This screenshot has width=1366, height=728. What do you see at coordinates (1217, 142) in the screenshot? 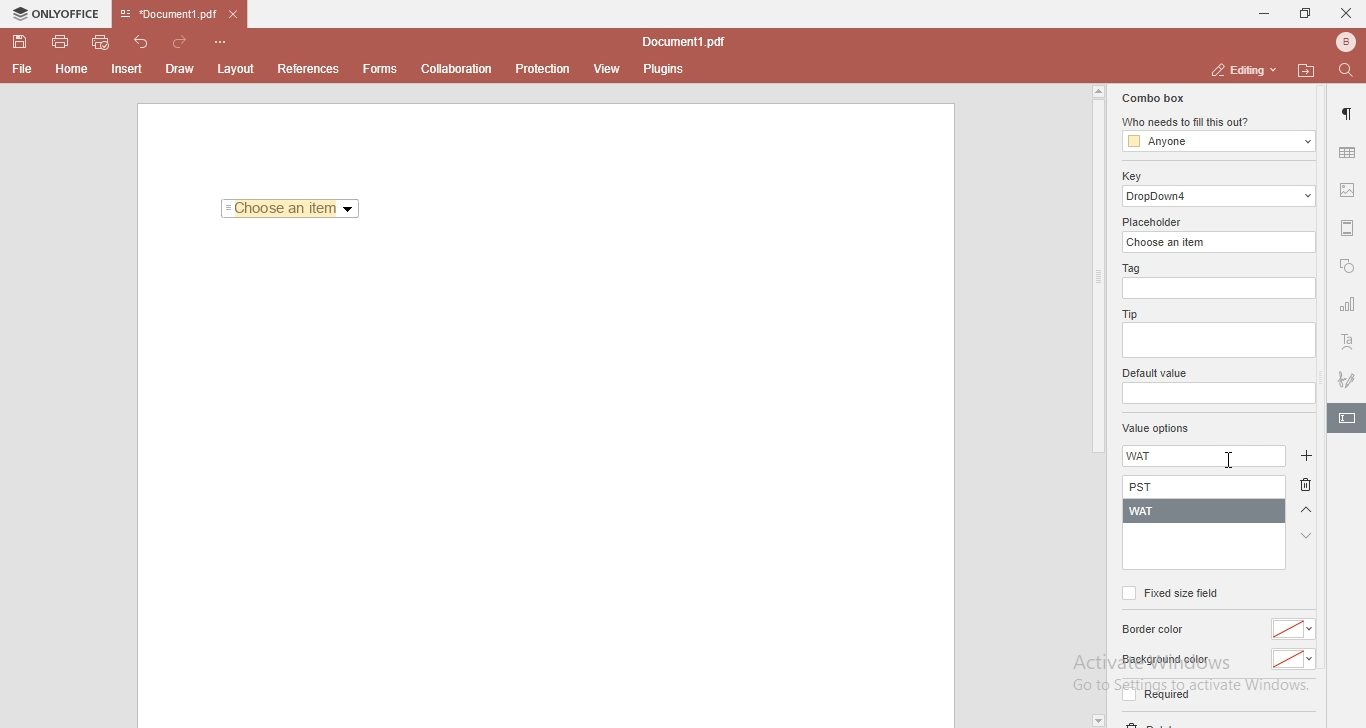
I see `anyone` at bounding box center [1217, 142].